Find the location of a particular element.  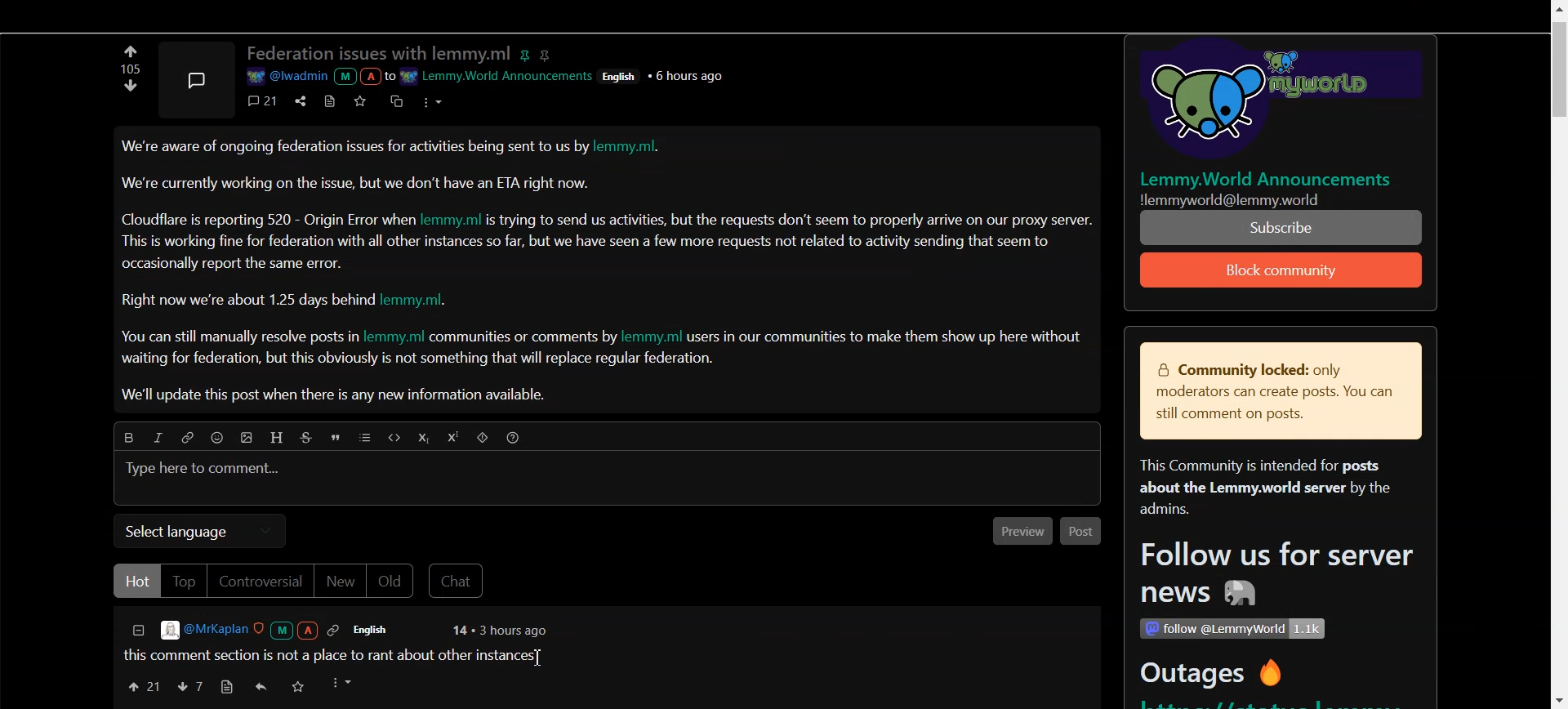

communities or comments by is located at coordinates (524, 338).